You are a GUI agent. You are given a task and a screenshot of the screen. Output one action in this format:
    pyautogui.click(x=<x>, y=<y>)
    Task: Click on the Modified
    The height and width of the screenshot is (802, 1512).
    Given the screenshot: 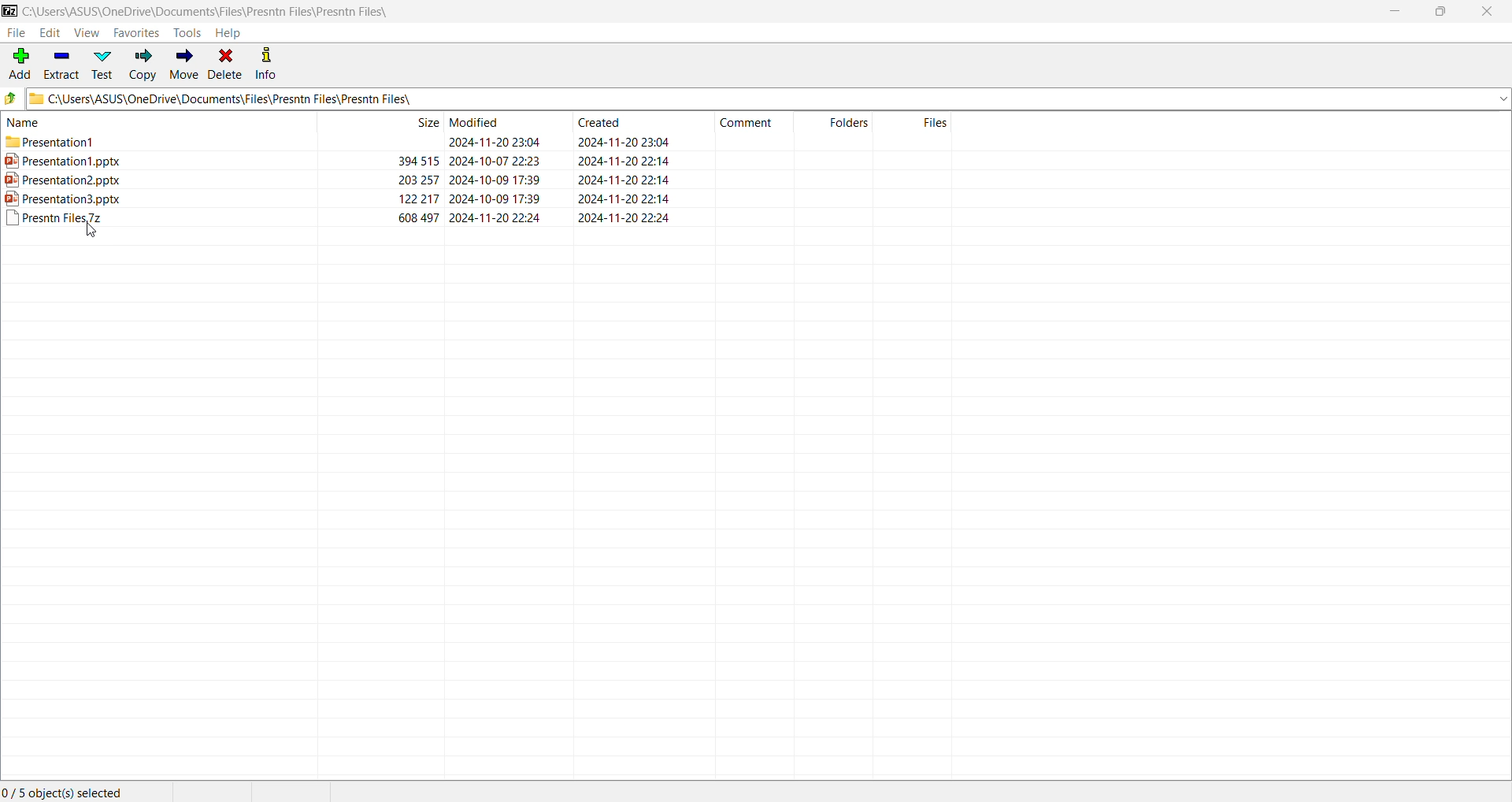 What is the action you would take?
    pyautogui.click(x=480, y=121)
    